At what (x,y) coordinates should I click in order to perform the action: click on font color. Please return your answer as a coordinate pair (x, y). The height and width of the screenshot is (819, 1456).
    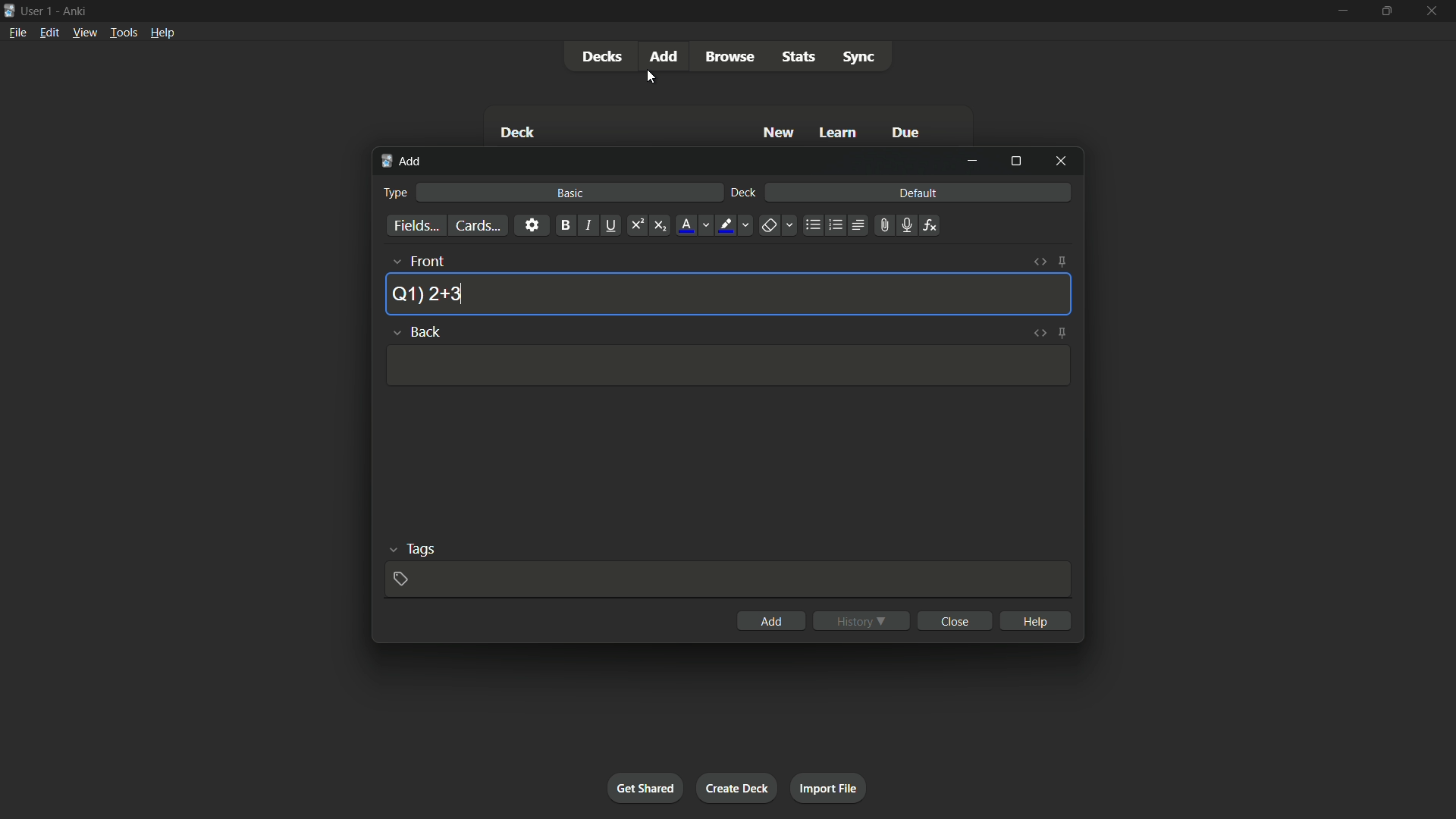
    Looking at the image, I should click on (687, 225).